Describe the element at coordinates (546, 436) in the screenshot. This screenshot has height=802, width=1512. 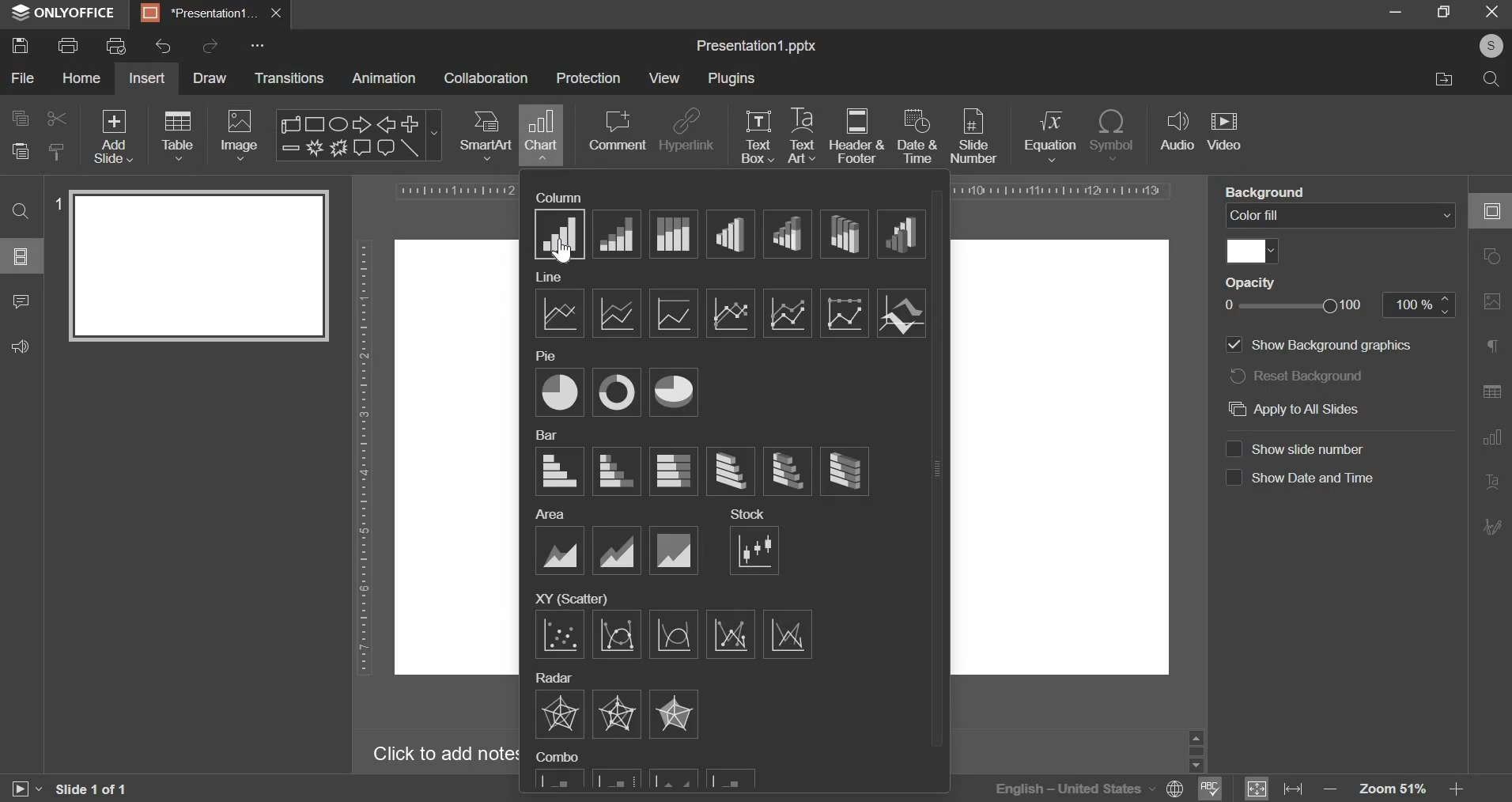
I see `bar` at that location.